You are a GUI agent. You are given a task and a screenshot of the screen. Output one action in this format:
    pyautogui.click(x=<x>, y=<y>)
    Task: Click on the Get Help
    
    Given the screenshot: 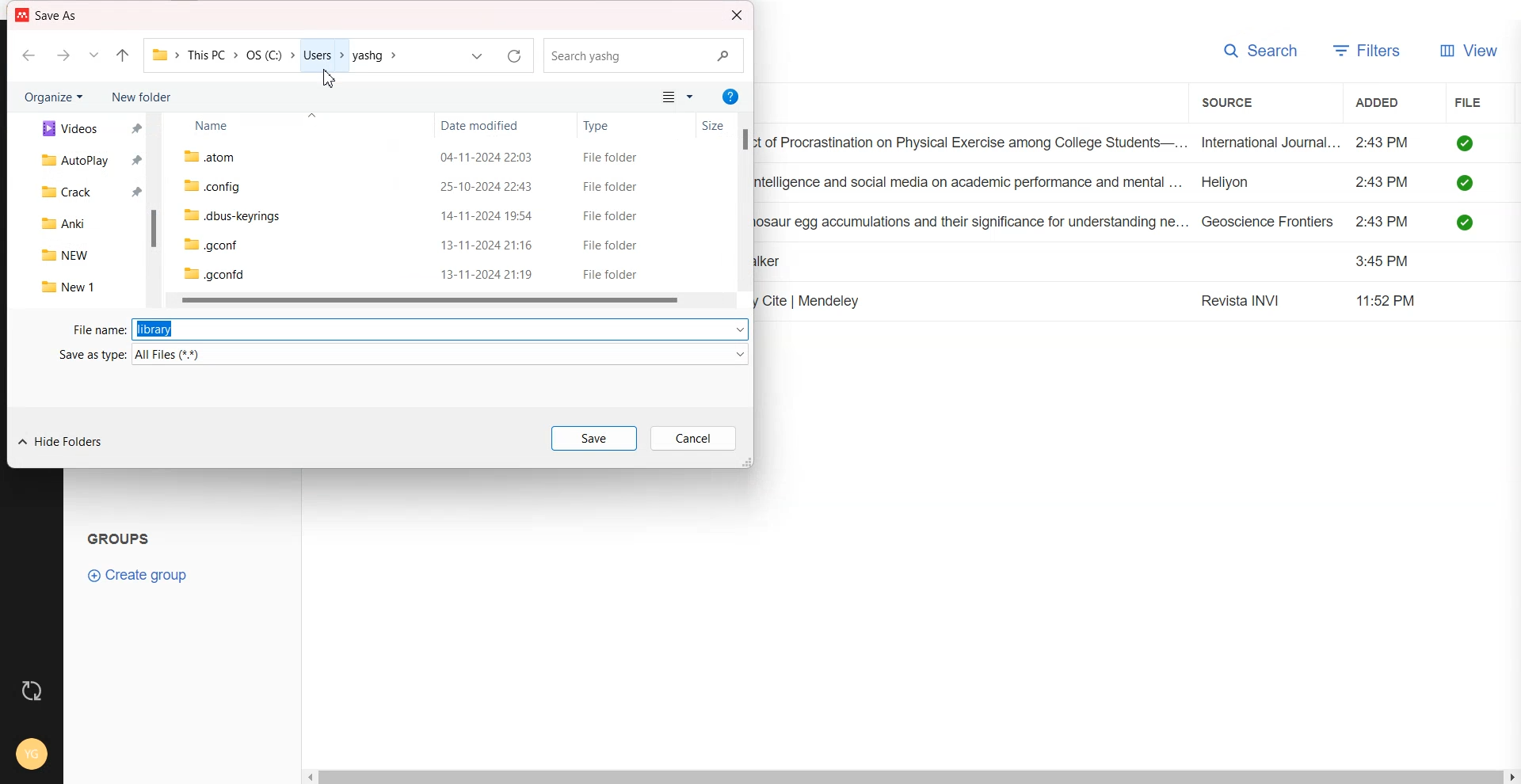 What is the action you would take?
    pyautogui.click(x=732, y=96)
    